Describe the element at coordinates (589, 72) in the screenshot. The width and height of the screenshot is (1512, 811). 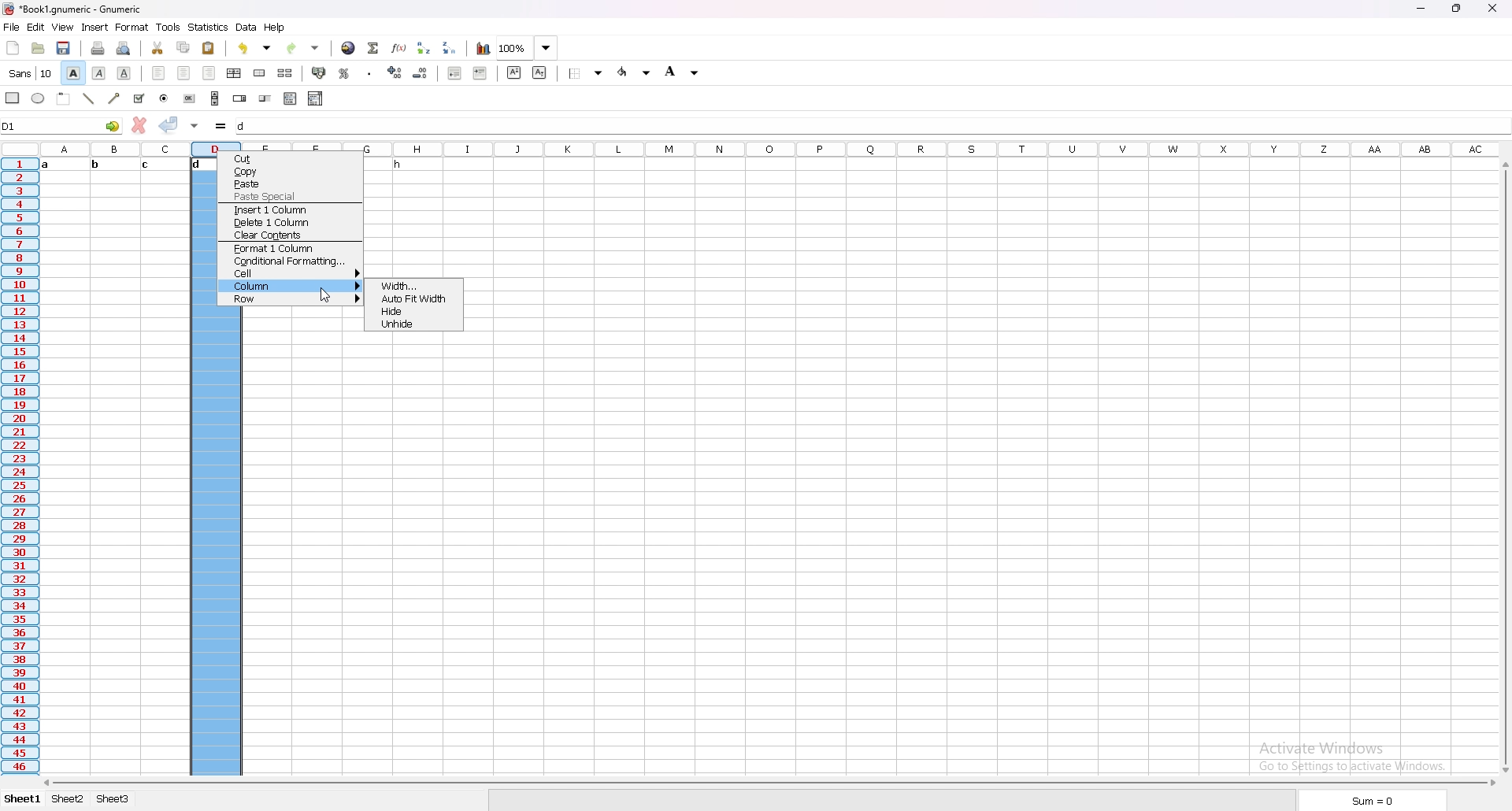
I see `border` at that location.